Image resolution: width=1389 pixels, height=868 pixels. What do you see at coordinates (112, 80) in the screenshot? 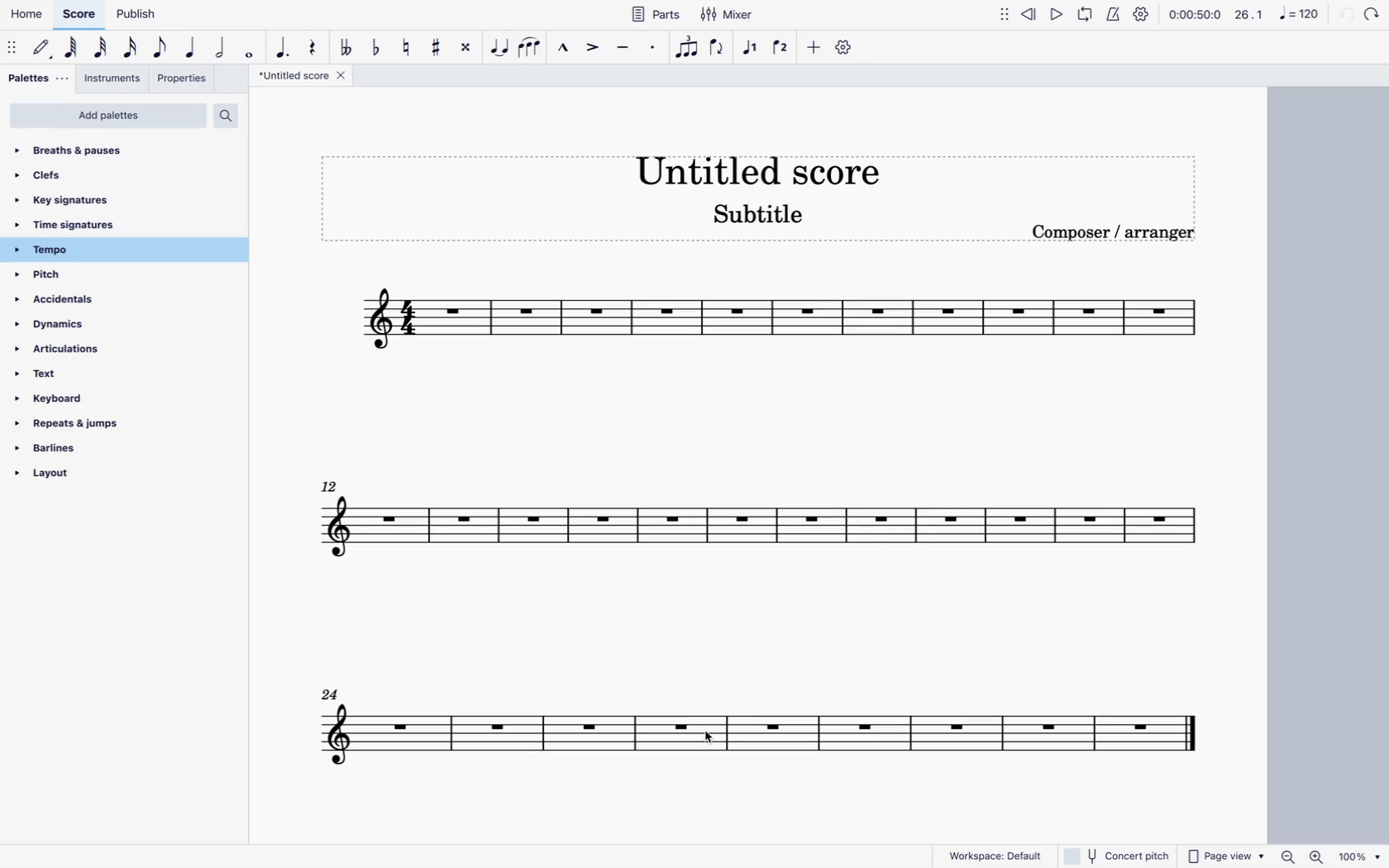
I see `instruments` at bounding box center [112, 80].